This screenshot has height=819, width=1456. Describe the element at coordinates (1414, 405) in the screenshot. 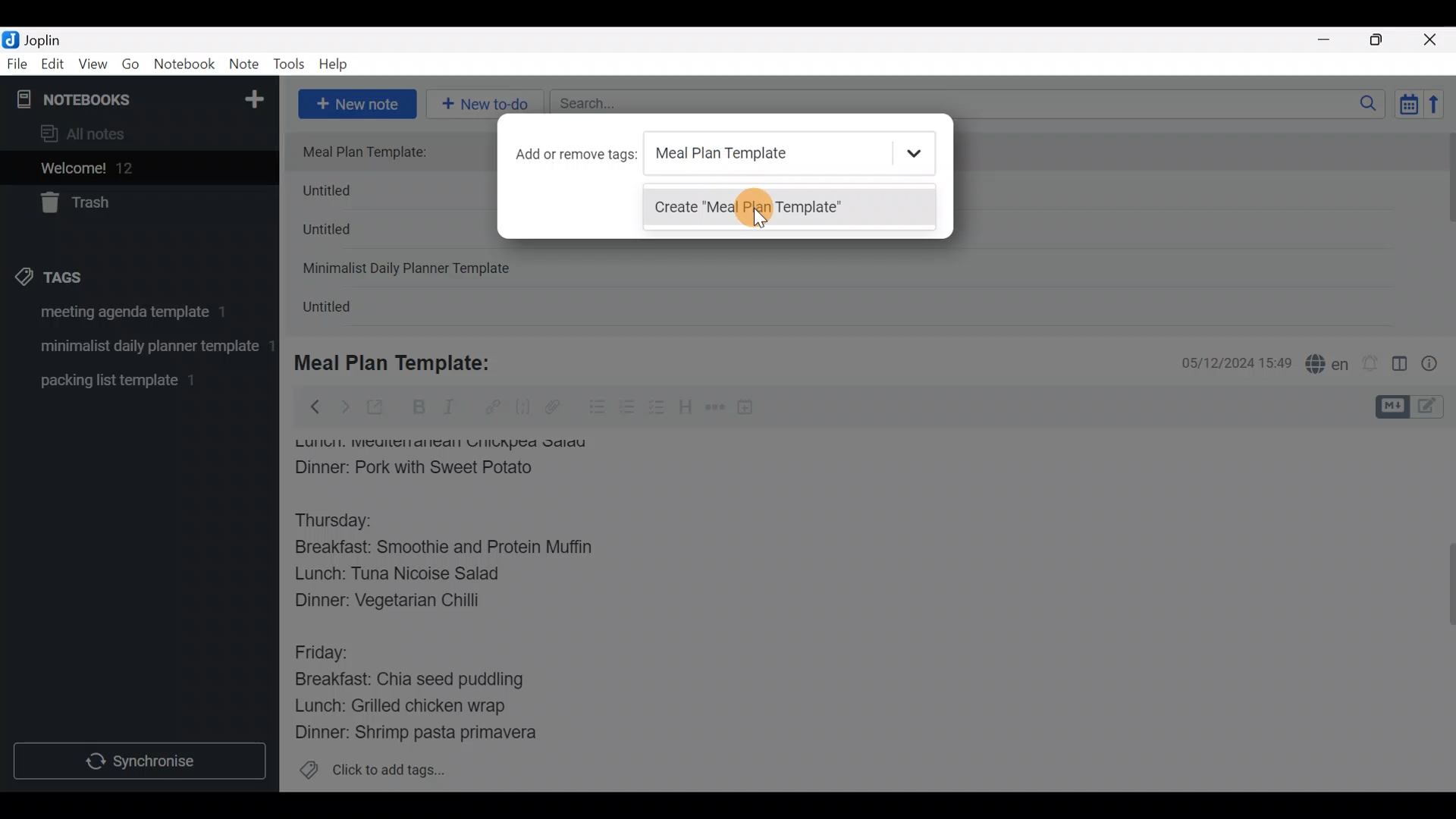

I see `Toggle editors` at that location.